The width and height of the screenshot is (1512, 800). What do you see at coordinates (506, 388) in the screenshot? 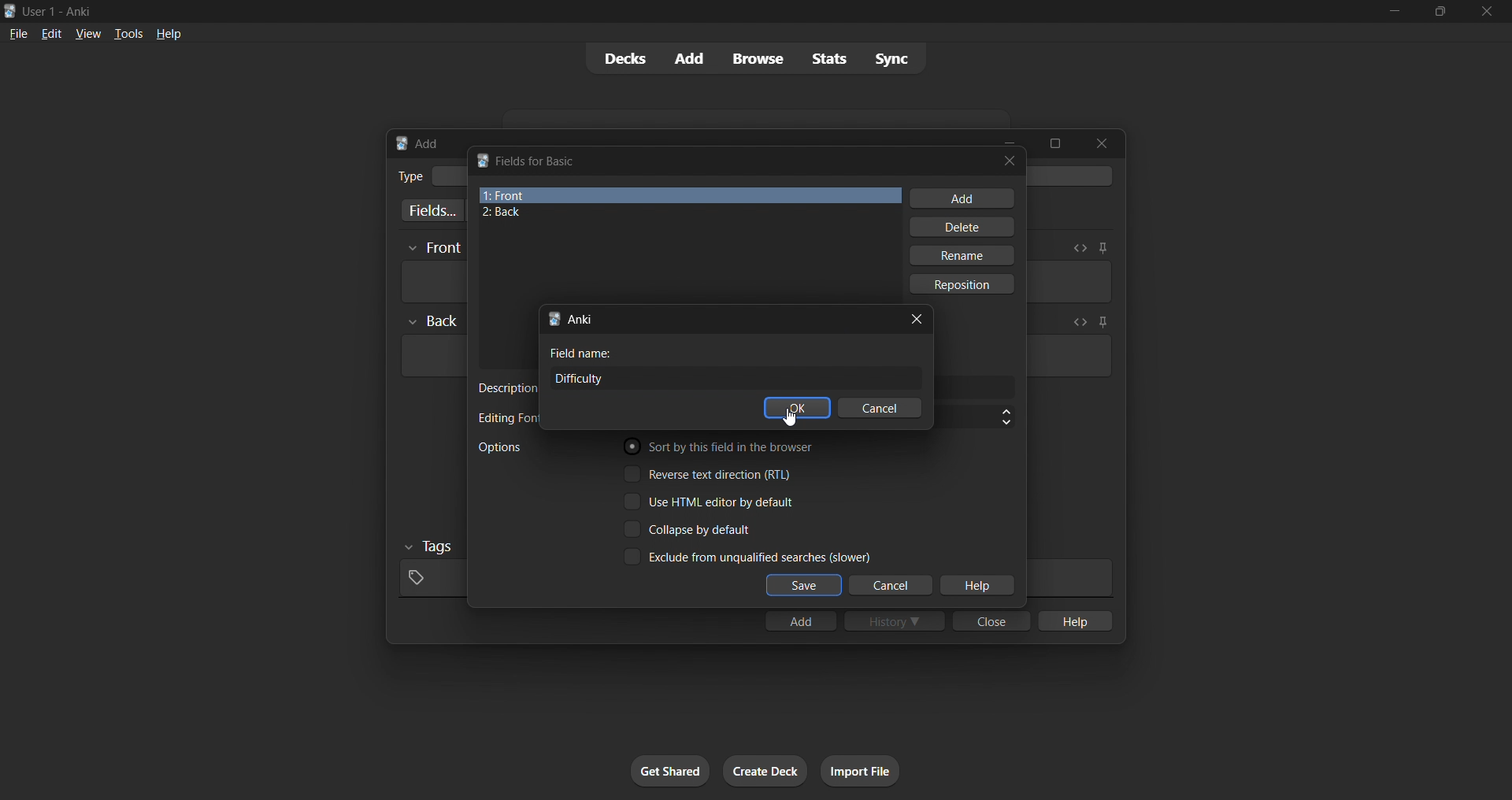
I see `Text` at bounding box center [506, 388].